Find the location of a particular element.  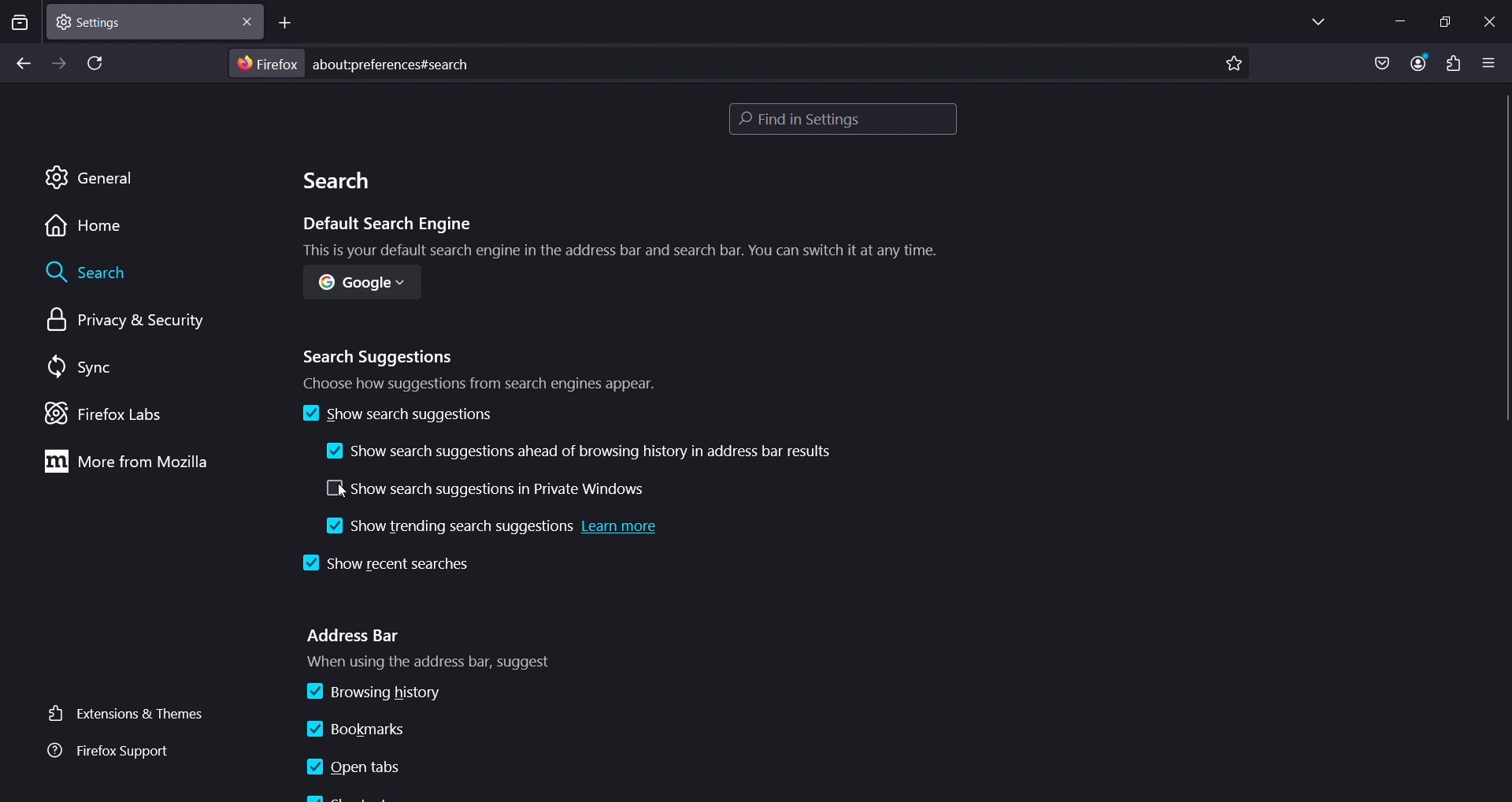

show search suggestions is located at coordinates (396, 414).